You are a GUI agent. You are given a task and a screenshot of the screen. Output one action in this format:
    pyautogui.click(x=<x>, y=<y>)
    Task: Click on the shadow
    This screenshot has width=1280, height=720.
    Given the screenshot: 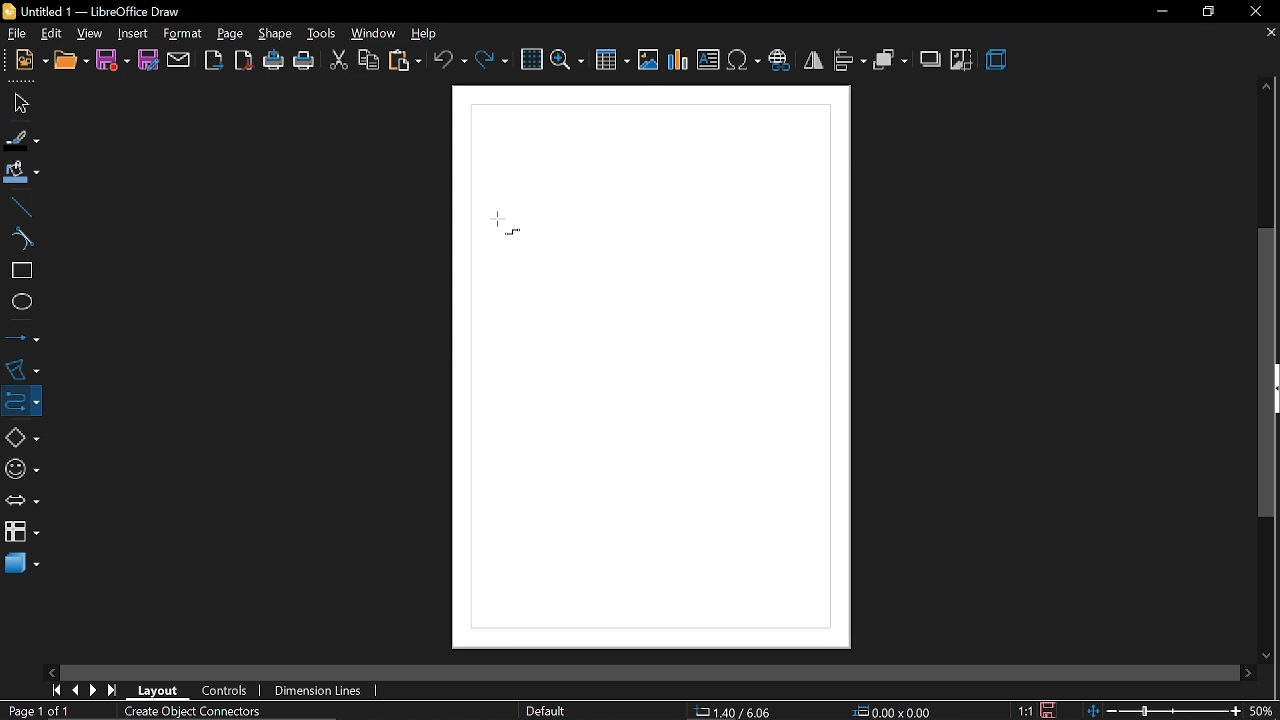 What is the action you would take?
    pyautogui.click(x=929, y=59)
    